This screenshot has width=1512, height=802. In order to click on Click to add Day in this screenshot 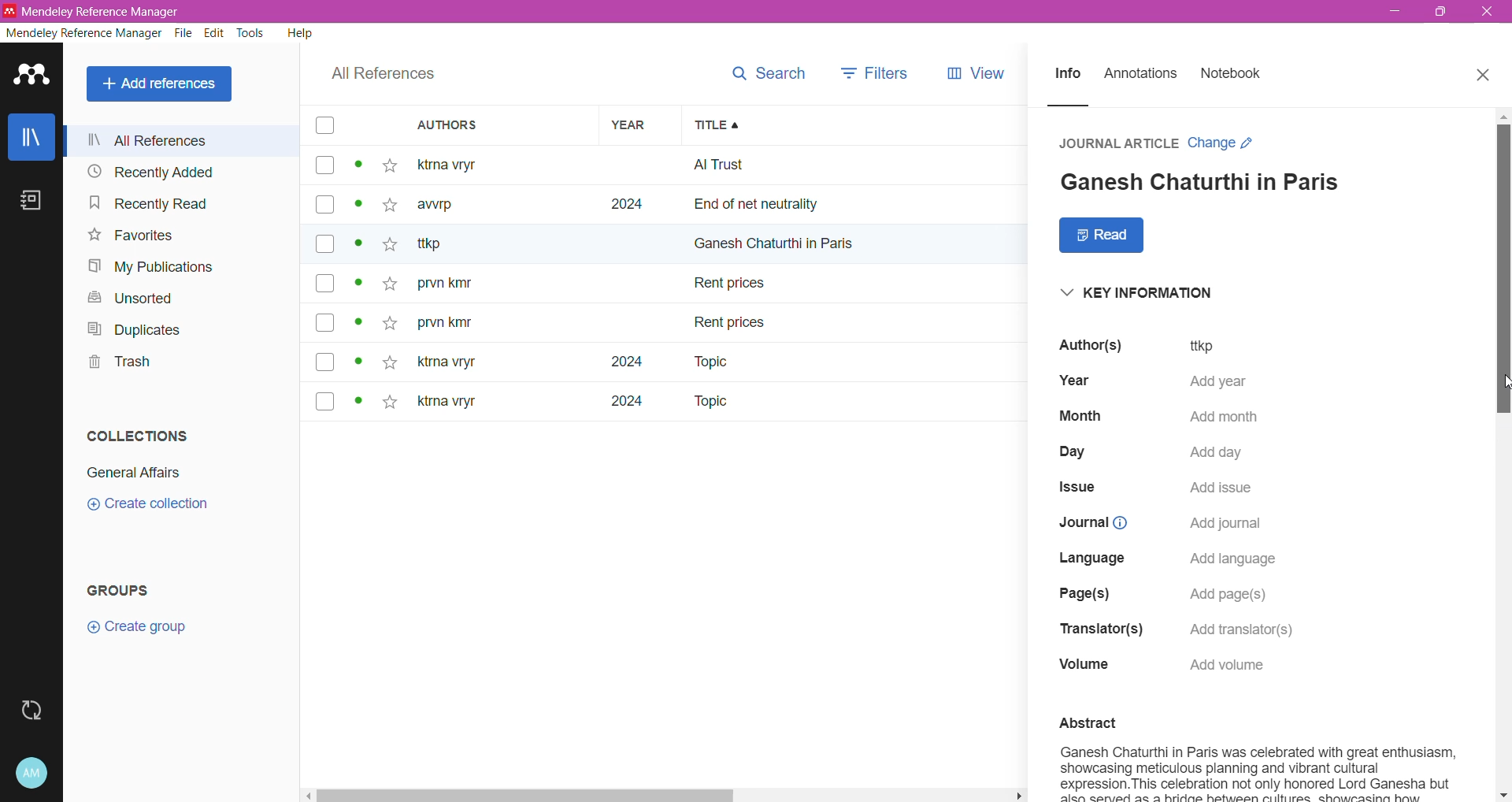, I will do `click(1224, 455)`.